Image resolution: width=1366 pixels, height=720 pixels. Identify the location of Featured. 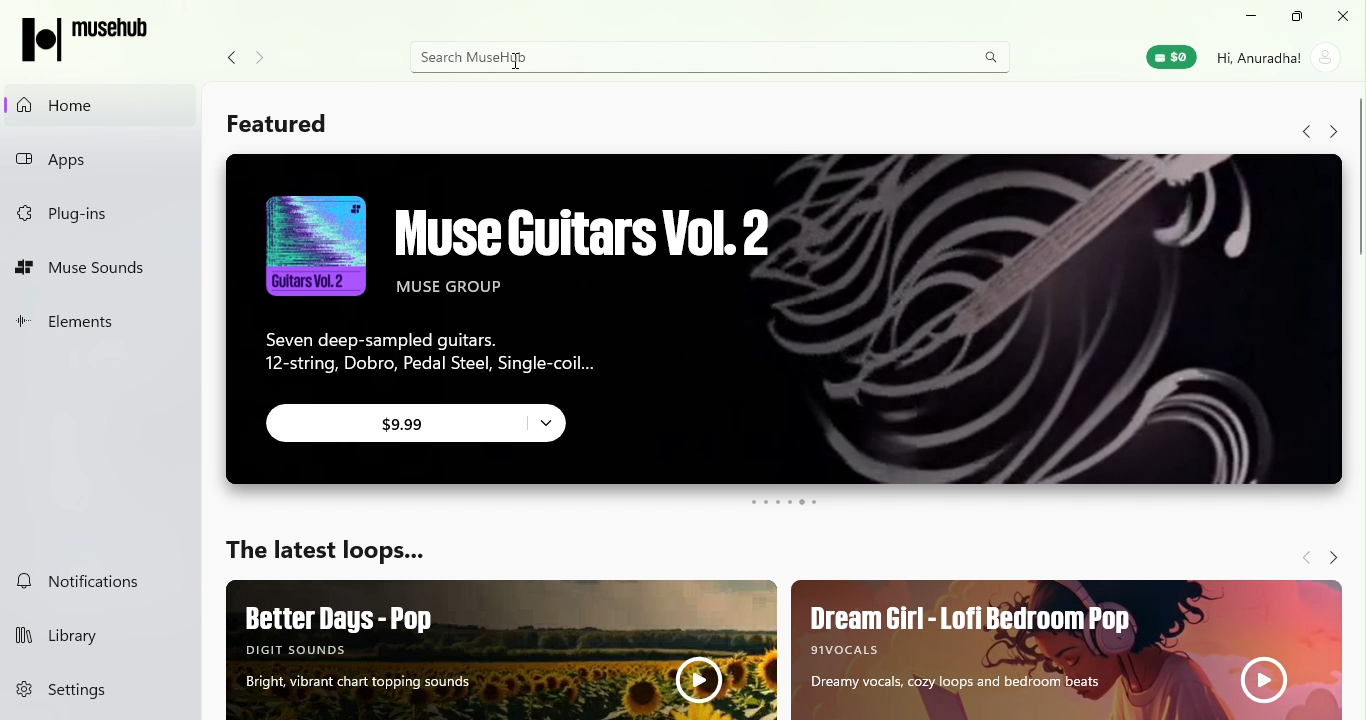
(275, 125).